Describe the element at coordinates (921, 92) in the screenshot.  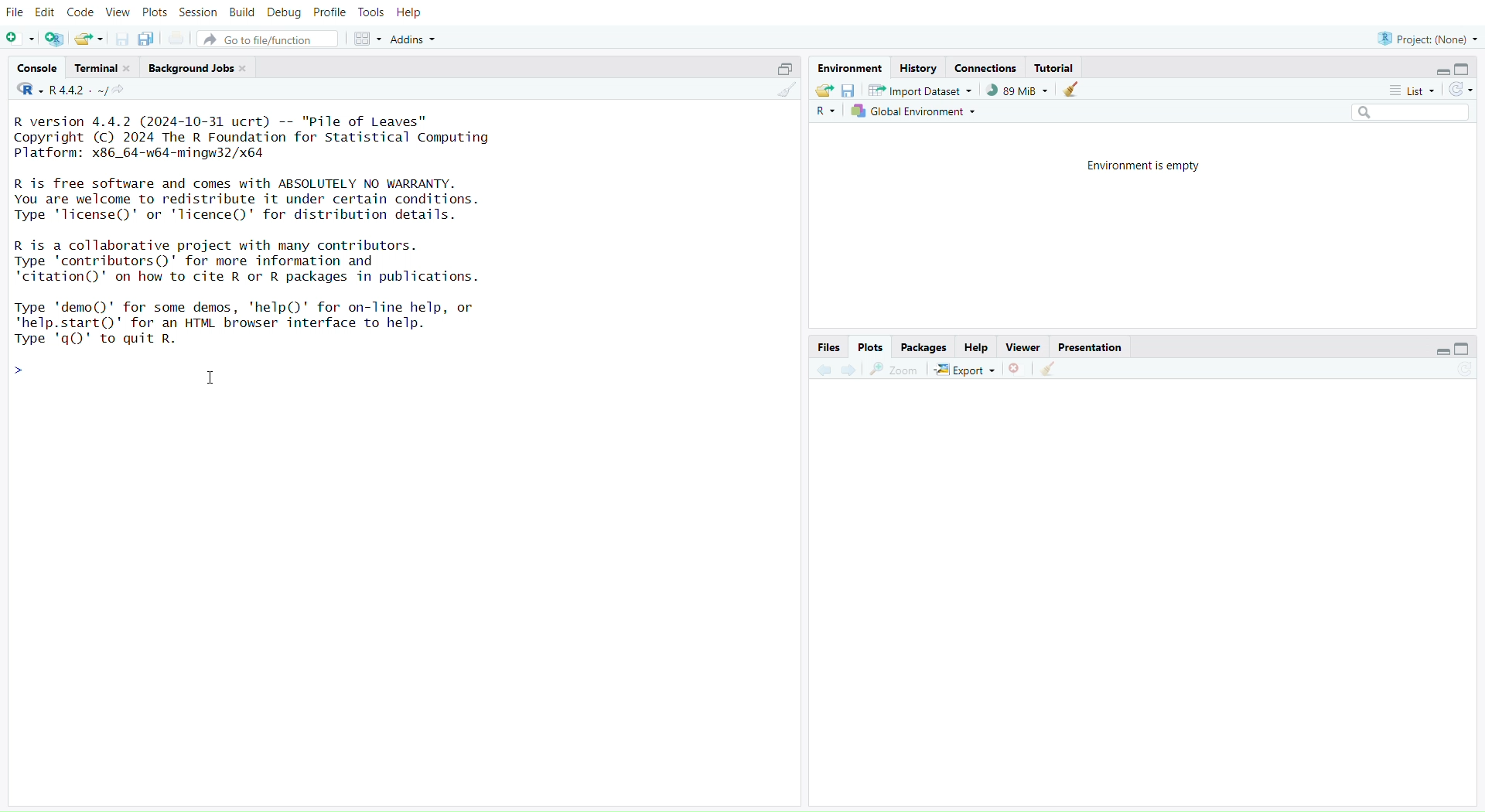
I see `Import dataset` at that location.